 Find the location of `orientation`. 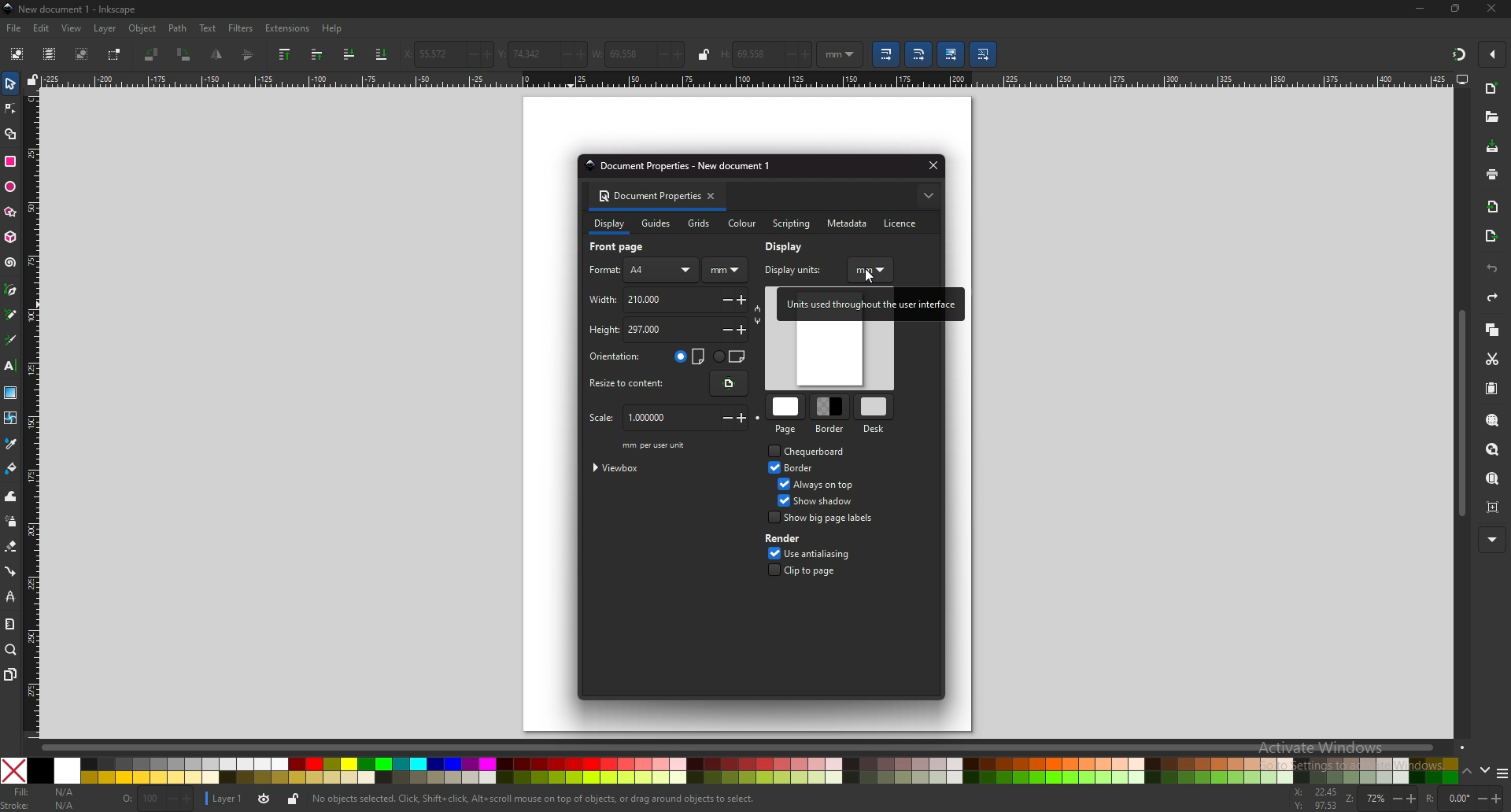

orientation is located at coordinates (619, 357).